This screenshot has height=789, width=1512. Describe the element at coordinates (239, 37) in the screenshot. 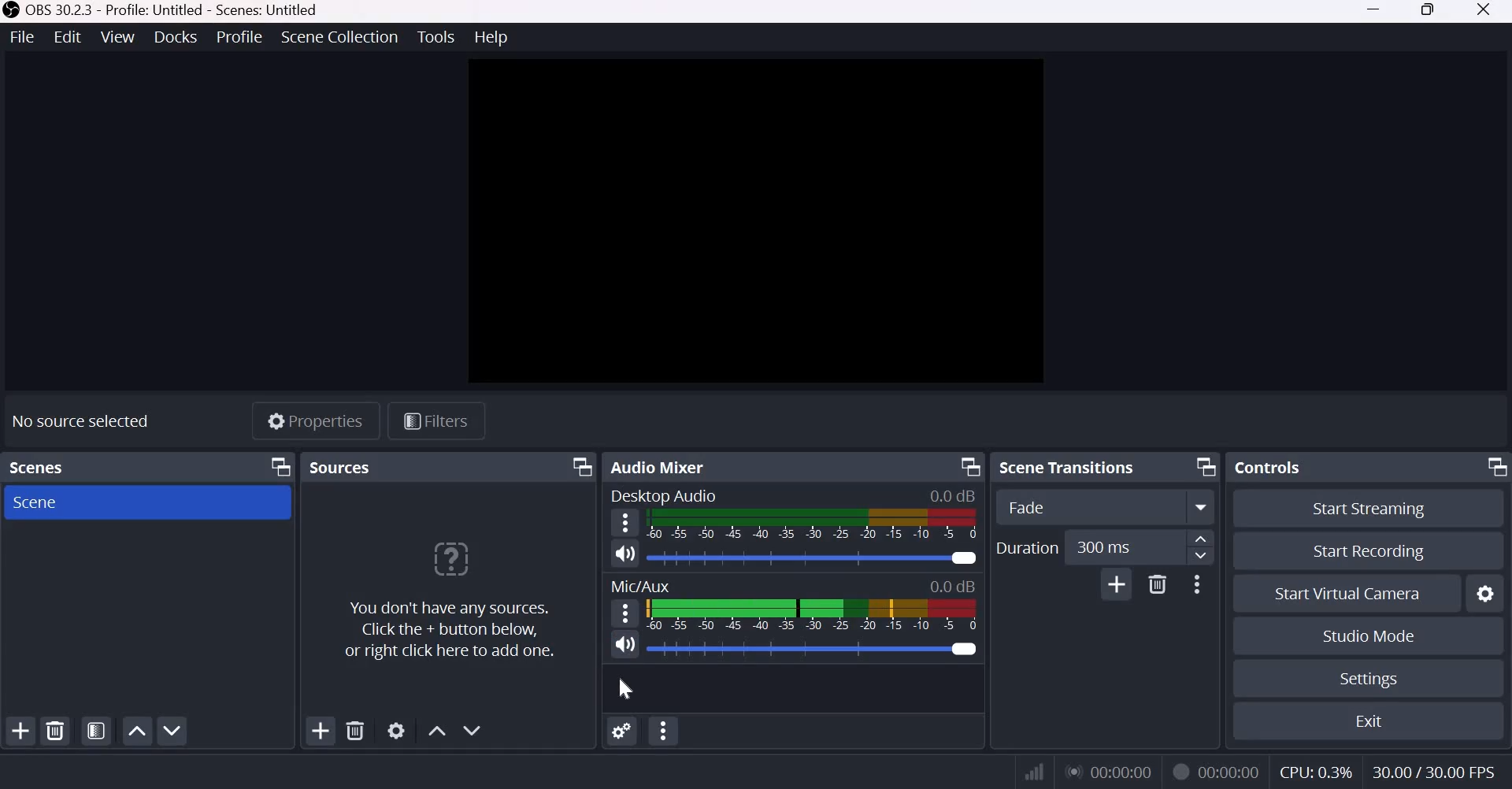

I see `Profile` at that location.